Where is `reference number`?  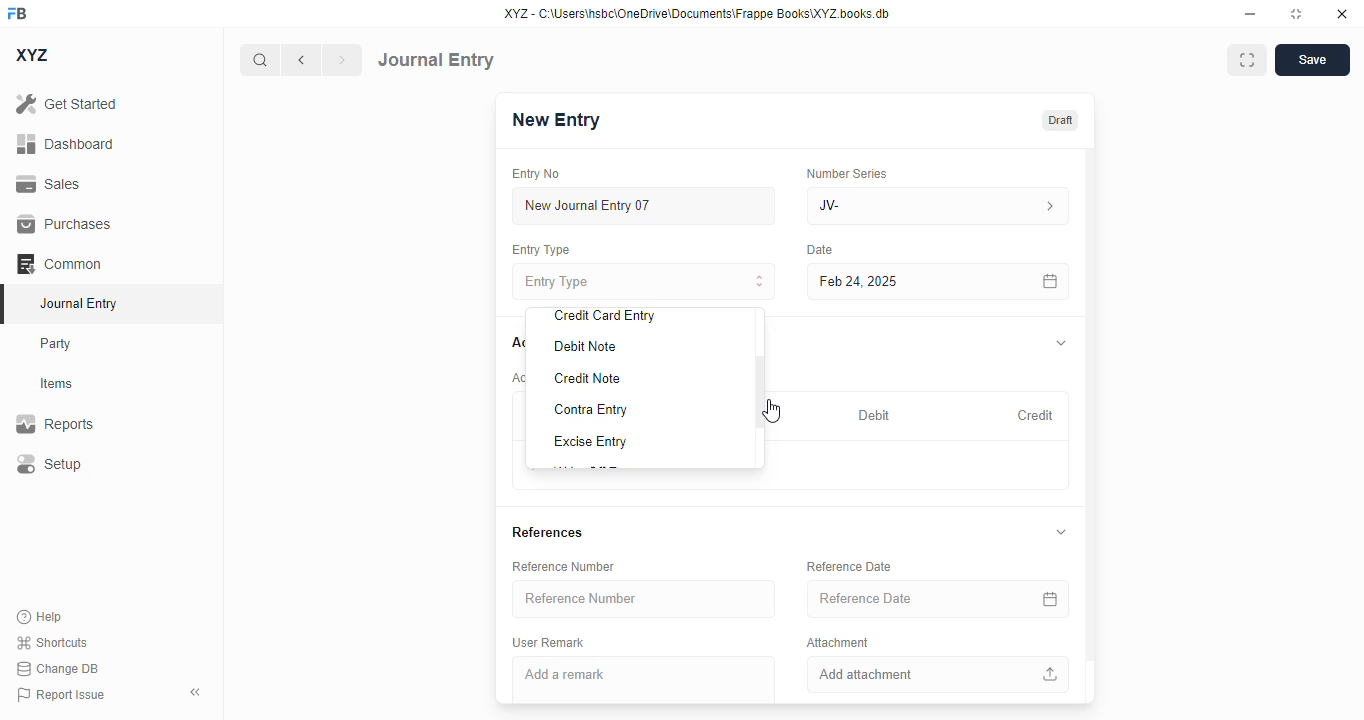 reference number is located at coordinates (645, 599).